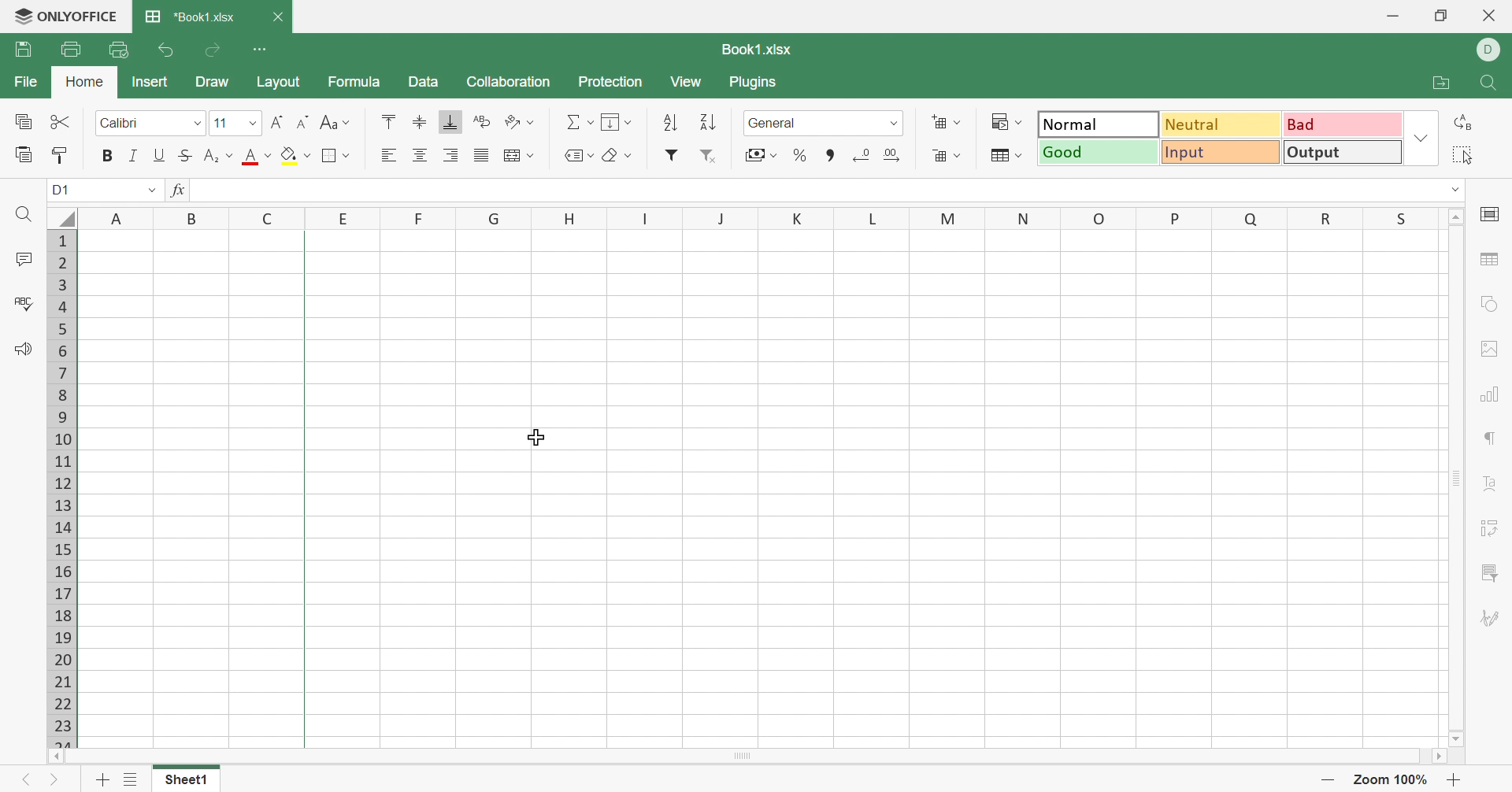  Describe the element at coordinates (289, 156) in the screenshot. I see `Fill color` at that location.